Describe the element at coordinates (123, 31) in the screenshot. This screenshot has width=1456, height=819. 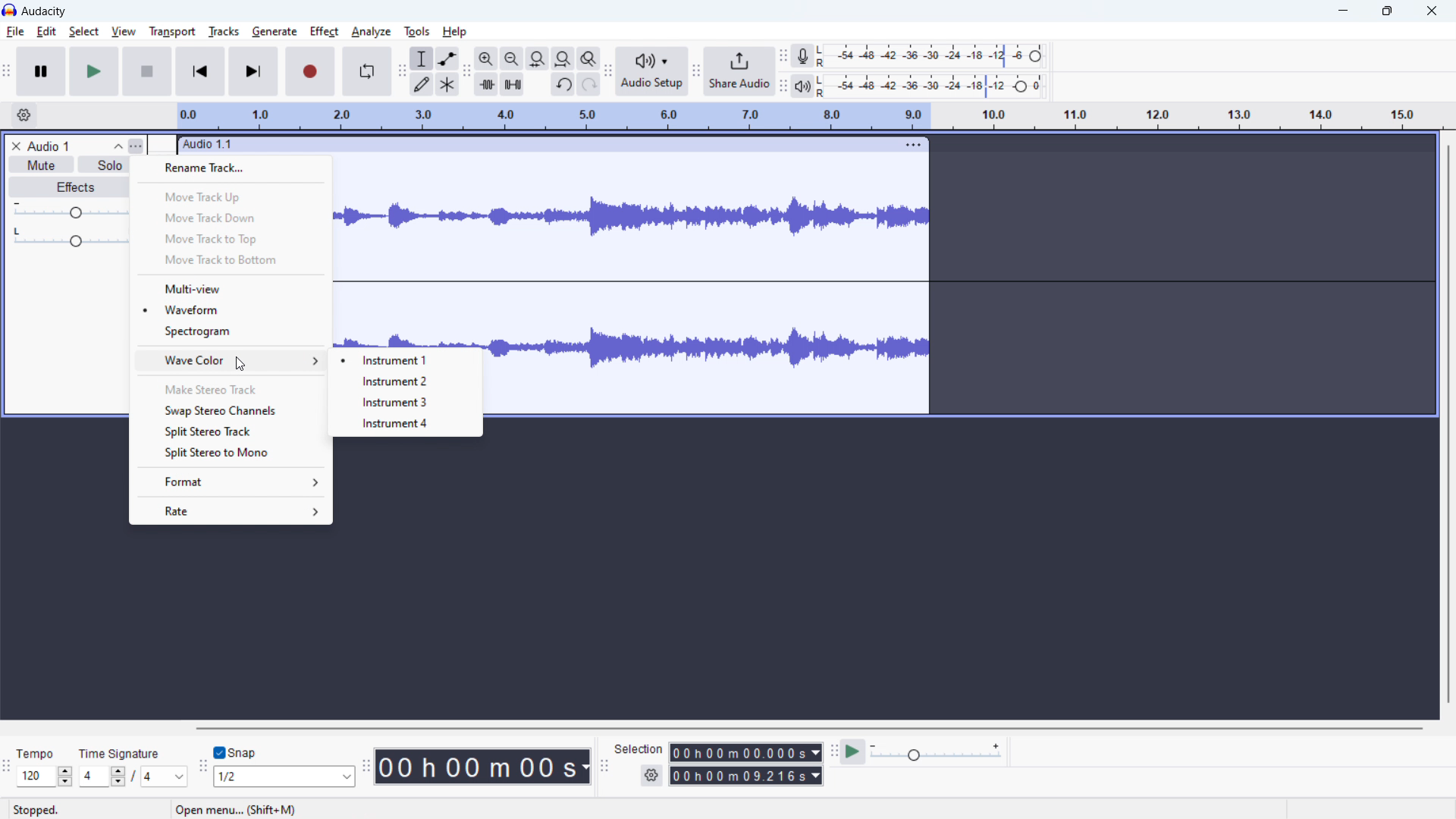
I see `view` at that location.